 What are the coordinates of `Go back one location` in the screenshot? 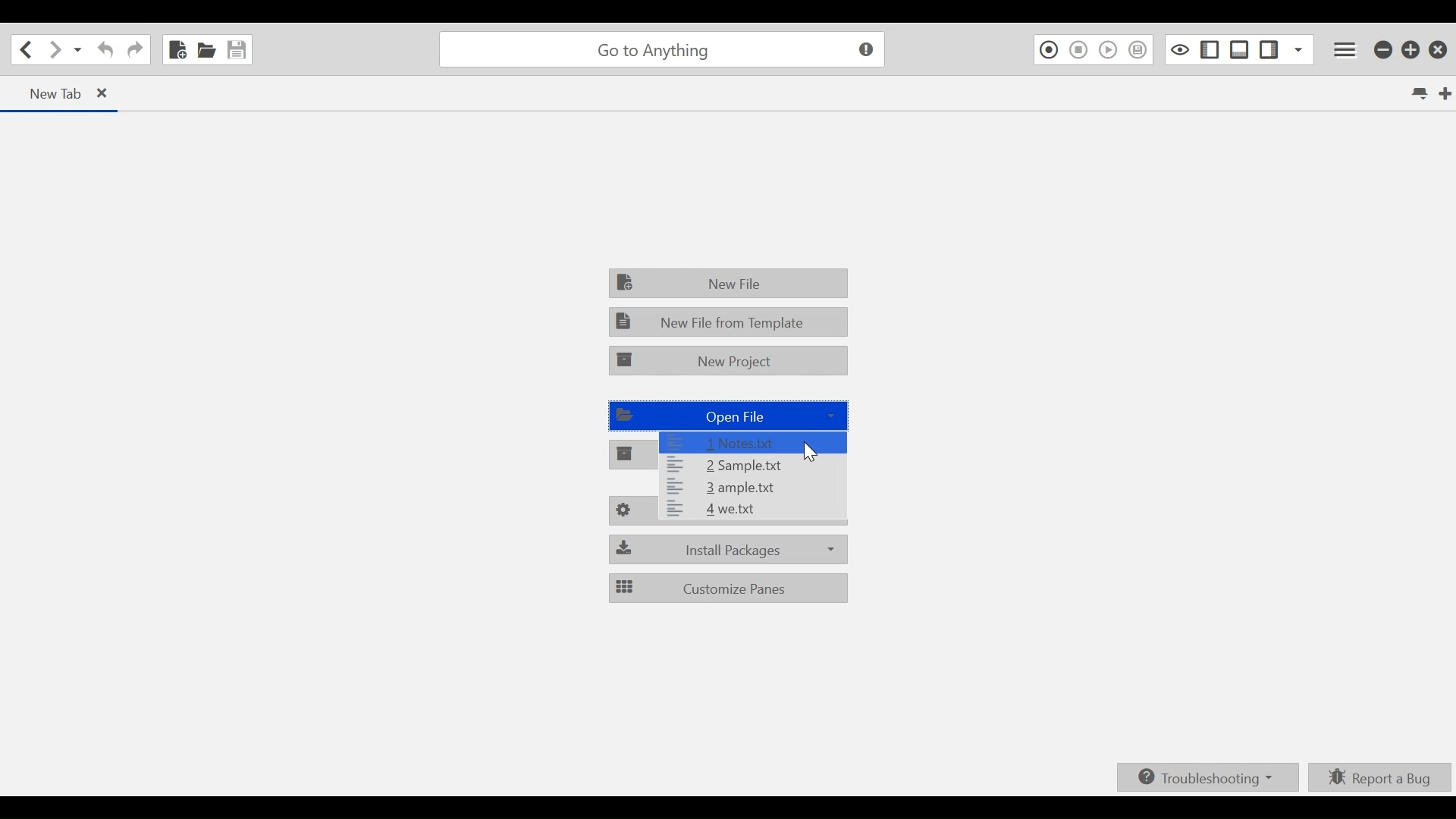 It's located at (28, 49).